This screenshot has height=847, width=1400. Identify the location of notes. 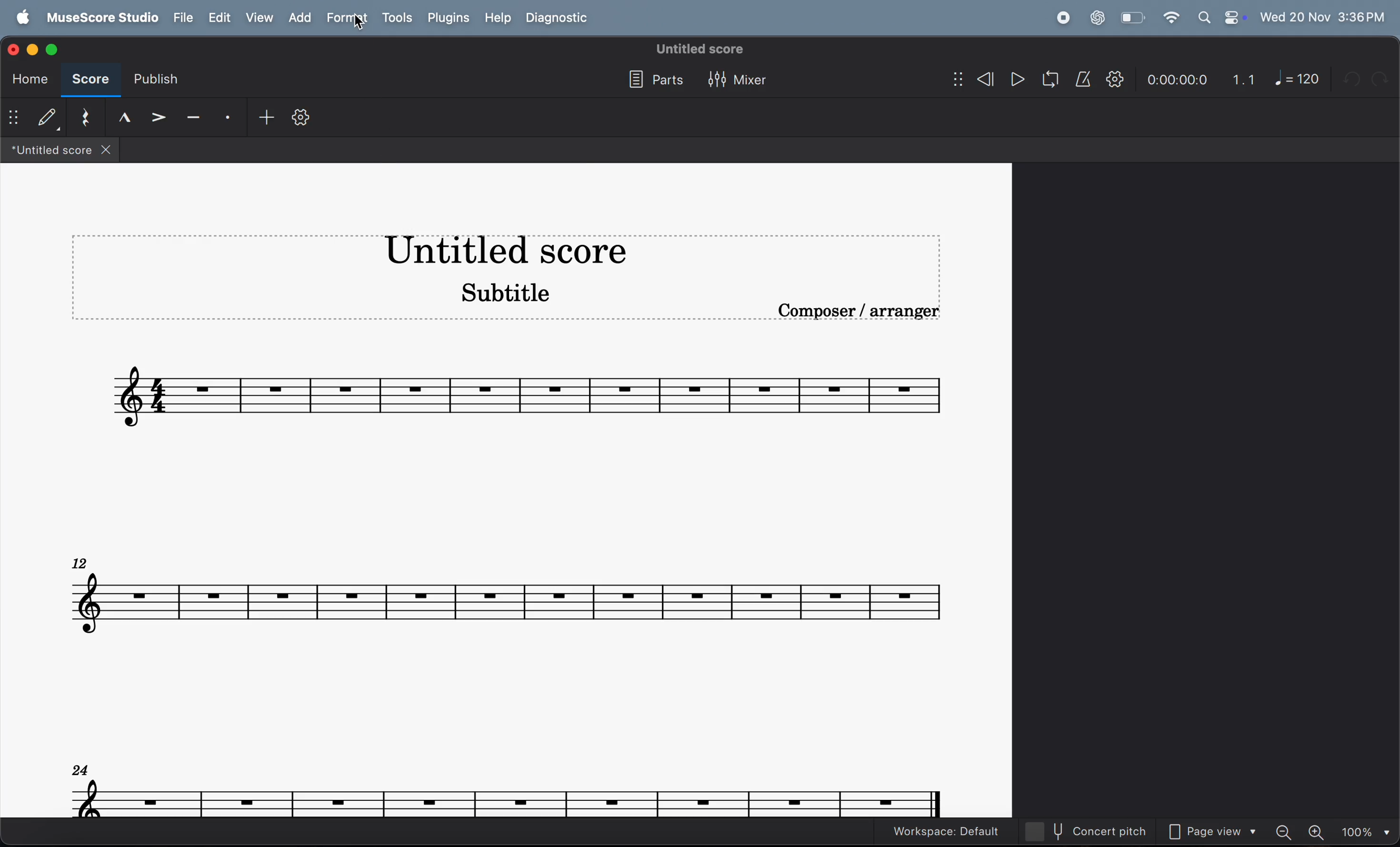
(509, 790).